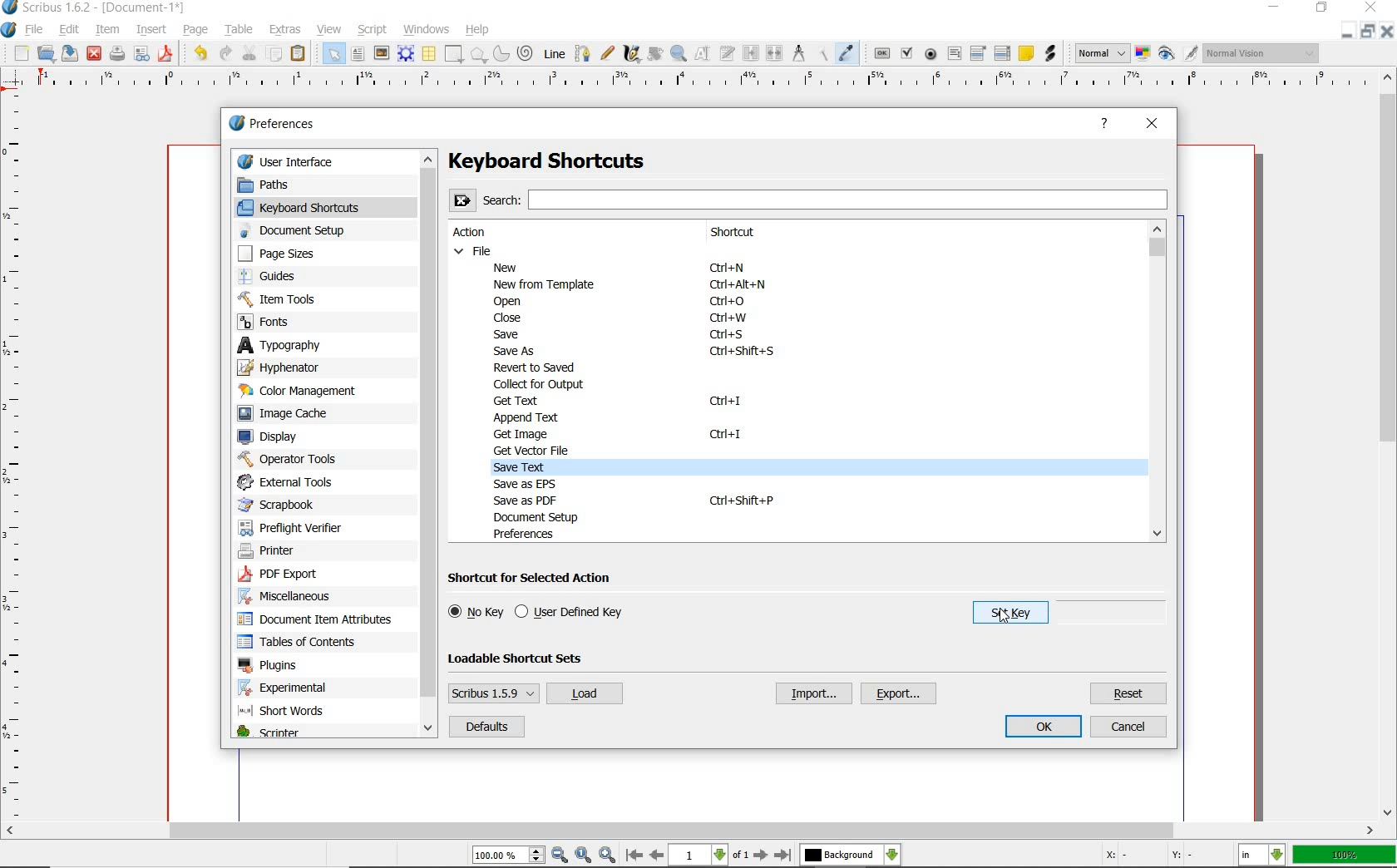 This screenshot has height=868, width=1397. Describe the element at coordinates (477, 233) in the screenshot. I see `action` at that location.